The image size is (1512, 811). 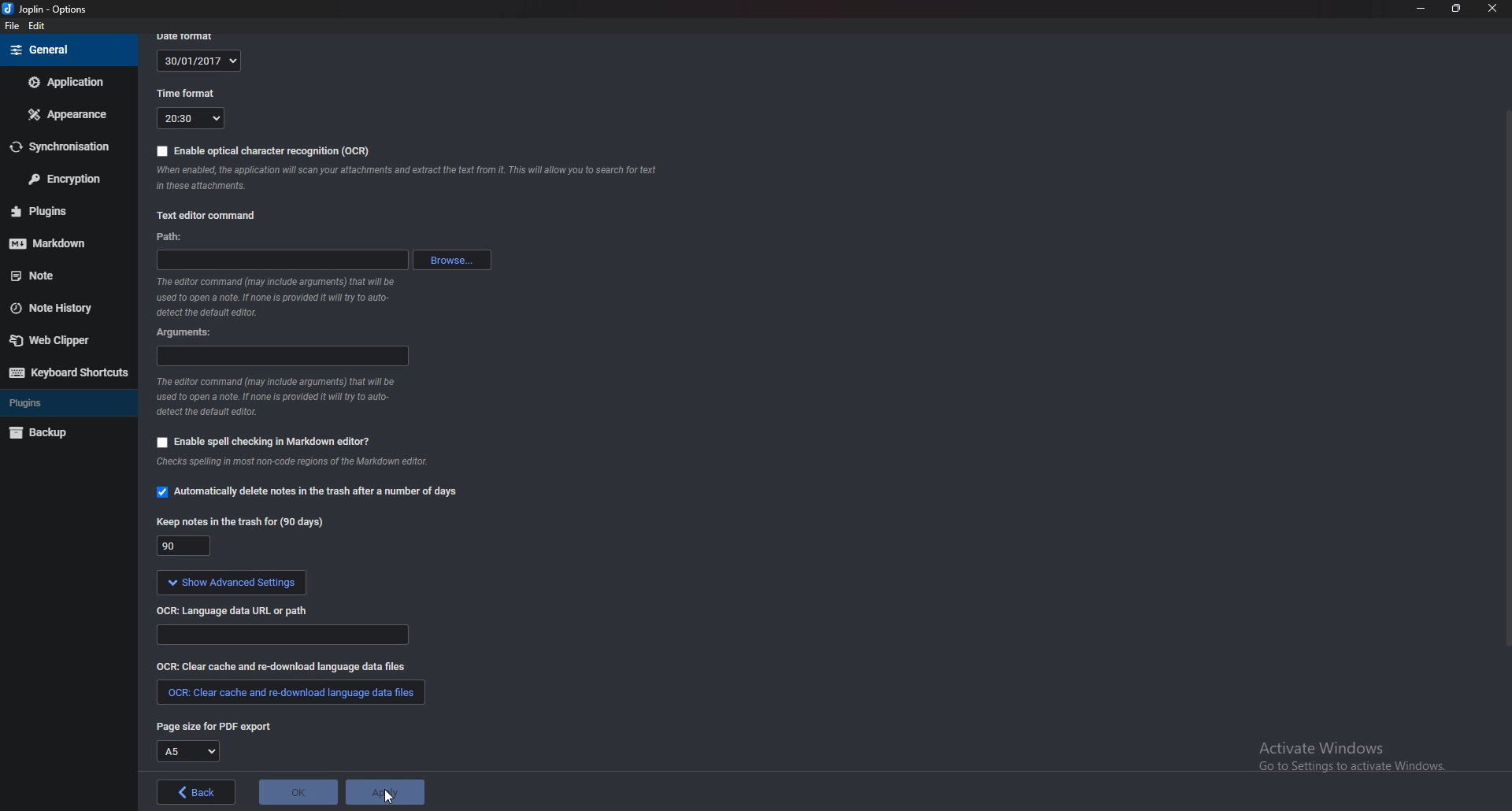 What do you see at coordinates (37, 27) in the screenshot?
I see `Edit` at bounding box center [37, 27].